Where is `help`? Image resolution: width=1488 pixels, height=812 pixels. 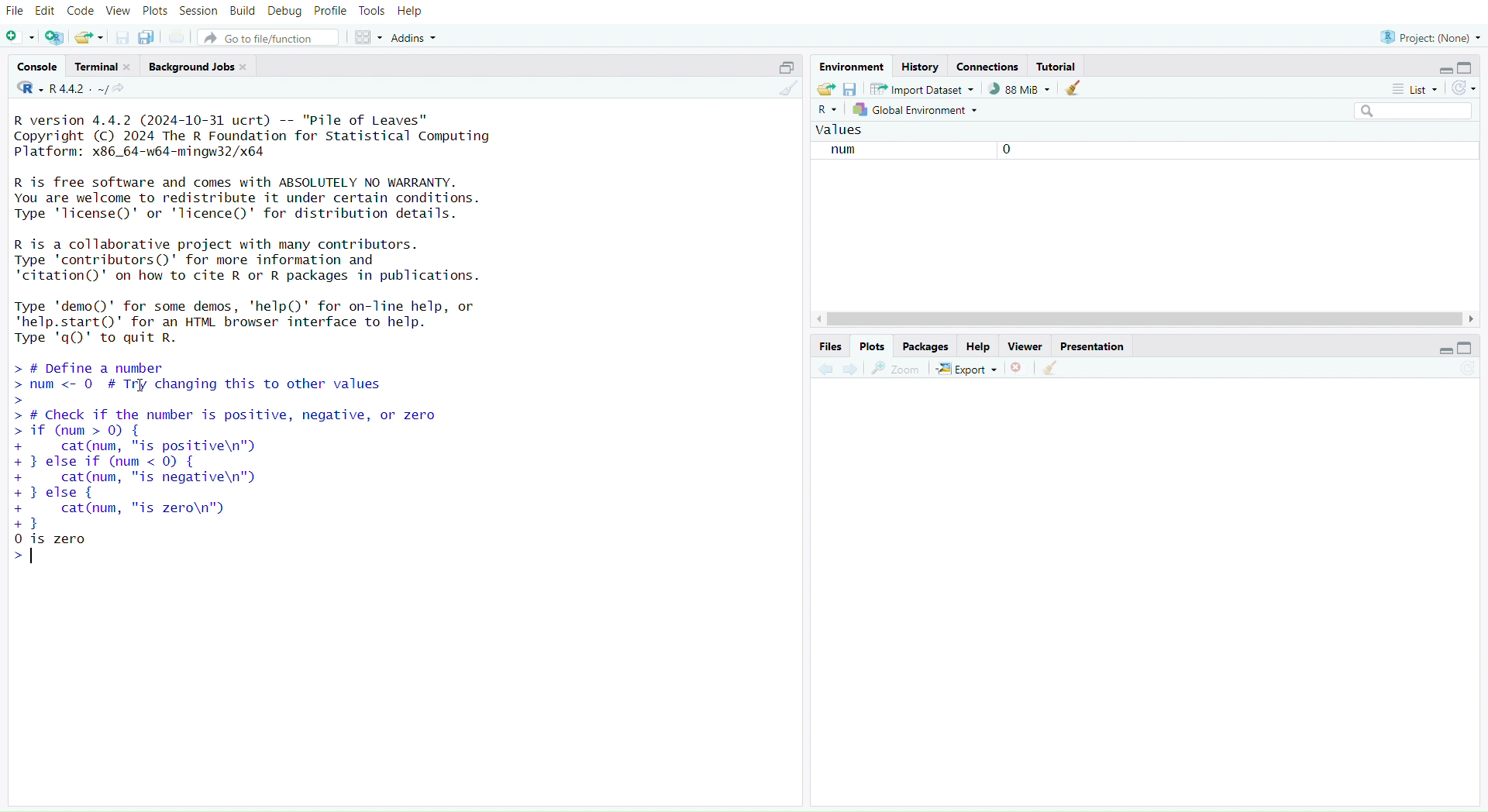 help is located at coordinates (979, 347).